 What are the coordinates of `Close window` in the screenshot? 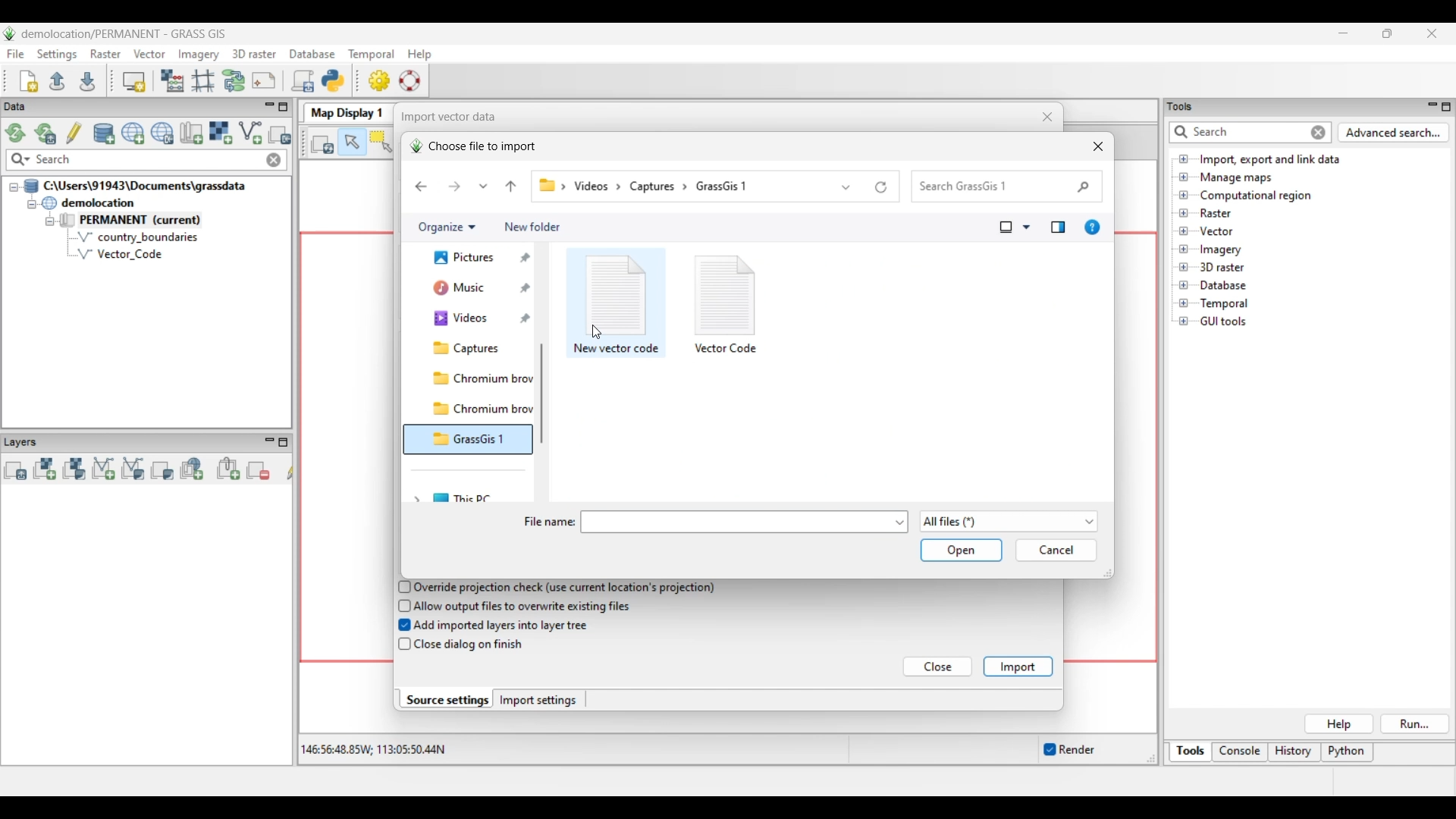 It's located at (1048, 117).